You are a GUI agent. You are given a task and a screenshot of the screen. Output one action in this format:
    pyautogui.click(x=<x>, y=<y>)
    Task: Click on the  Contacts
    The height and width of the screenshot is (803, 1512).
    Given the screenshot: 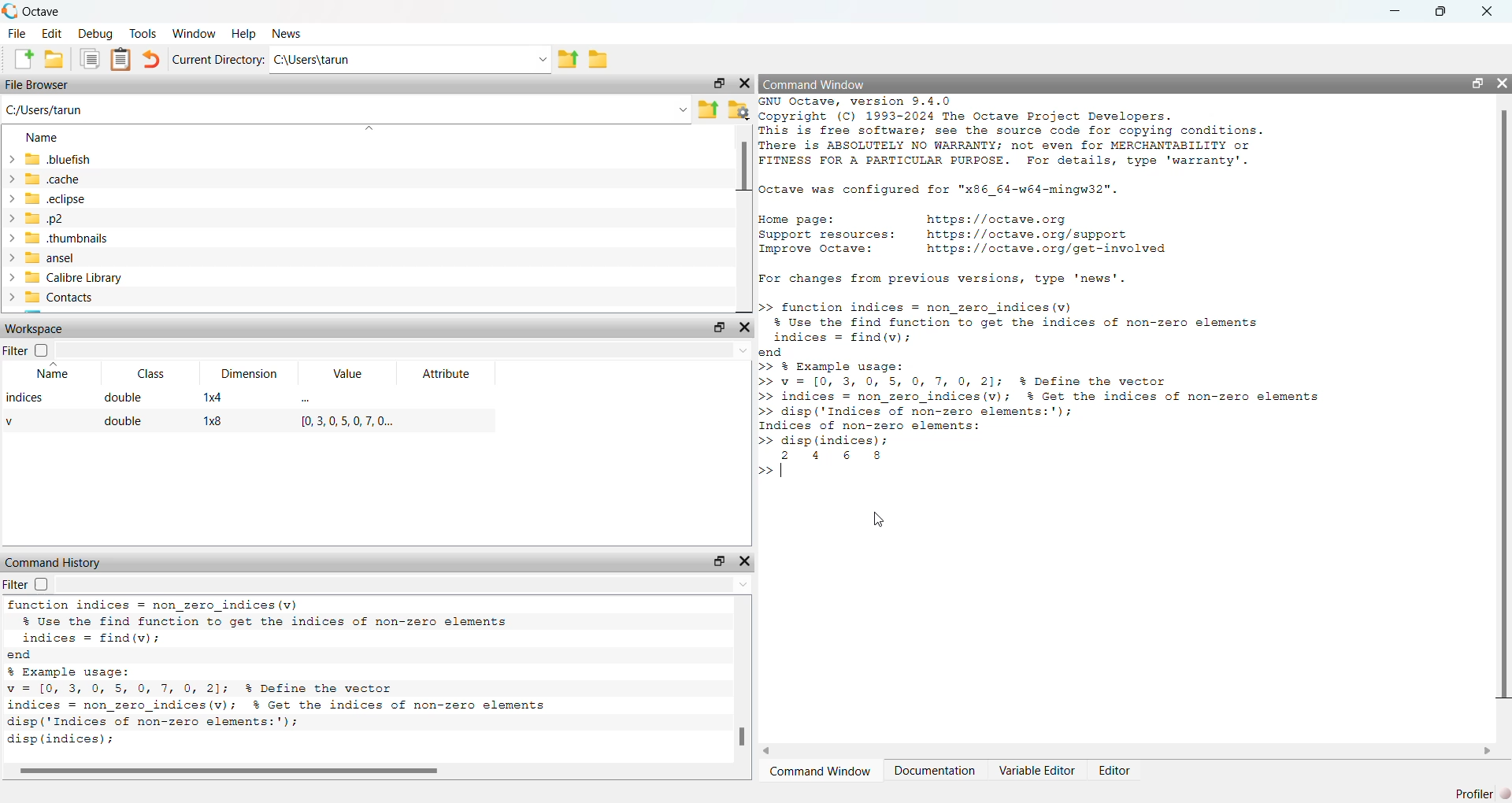 What is the action you would take?
    pyautogui.click(x=54, y=299)
    